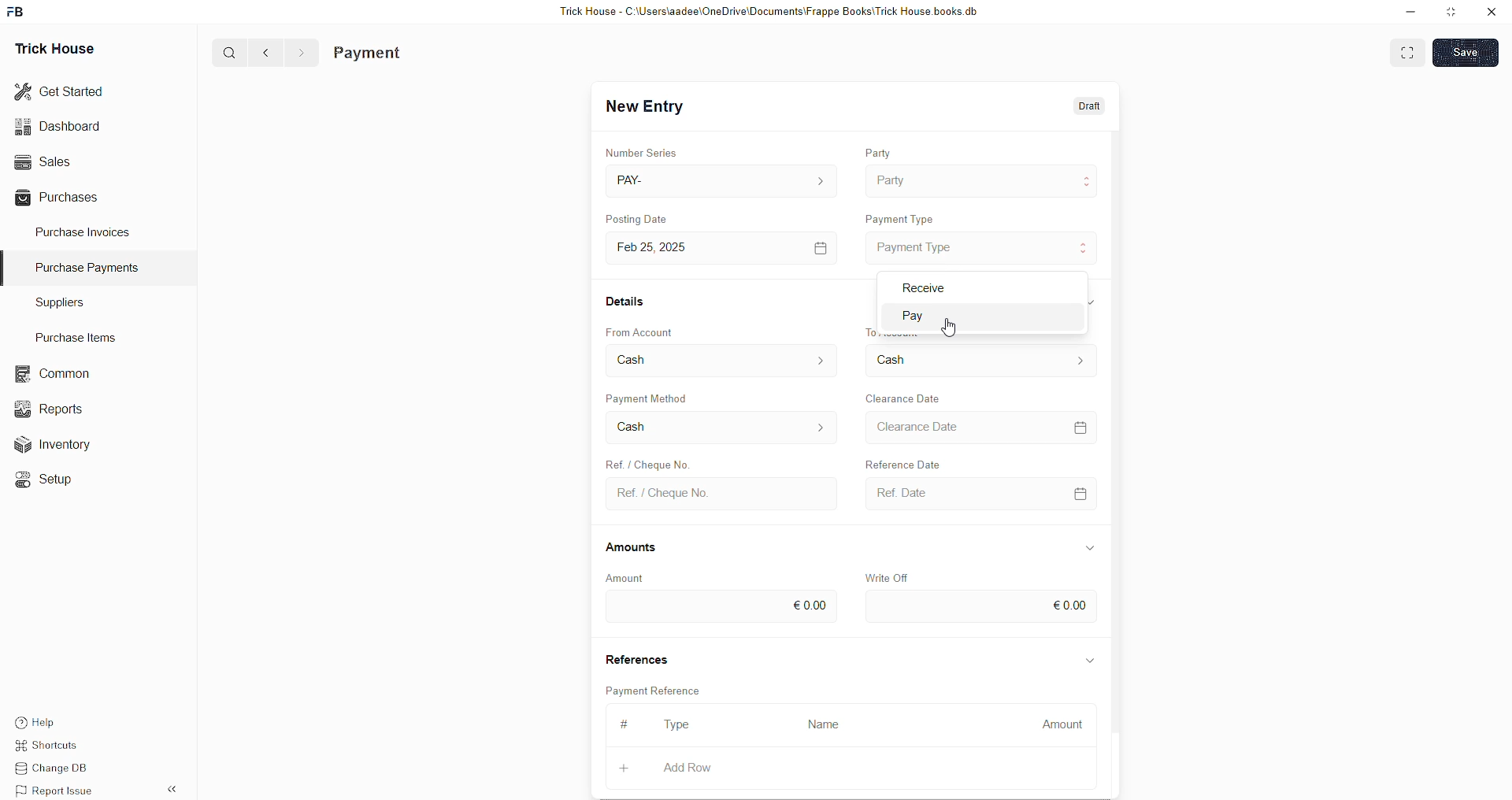  I want to click on Clearance Date, so click(906, 397).